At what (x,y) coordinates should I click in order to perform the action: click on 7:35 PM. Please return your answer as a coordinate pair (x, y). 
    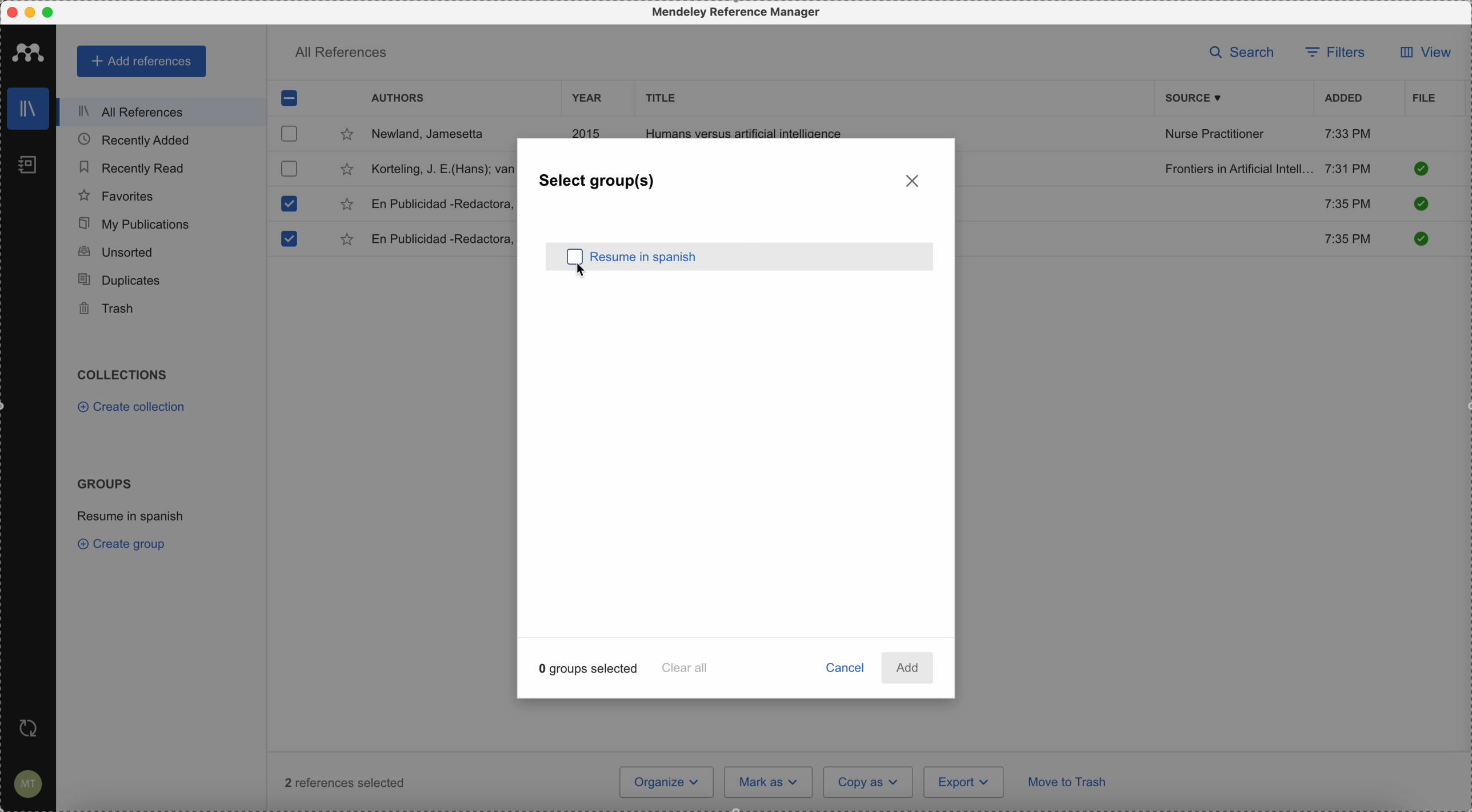
    Looking at the image, I should click on (1346, 202).